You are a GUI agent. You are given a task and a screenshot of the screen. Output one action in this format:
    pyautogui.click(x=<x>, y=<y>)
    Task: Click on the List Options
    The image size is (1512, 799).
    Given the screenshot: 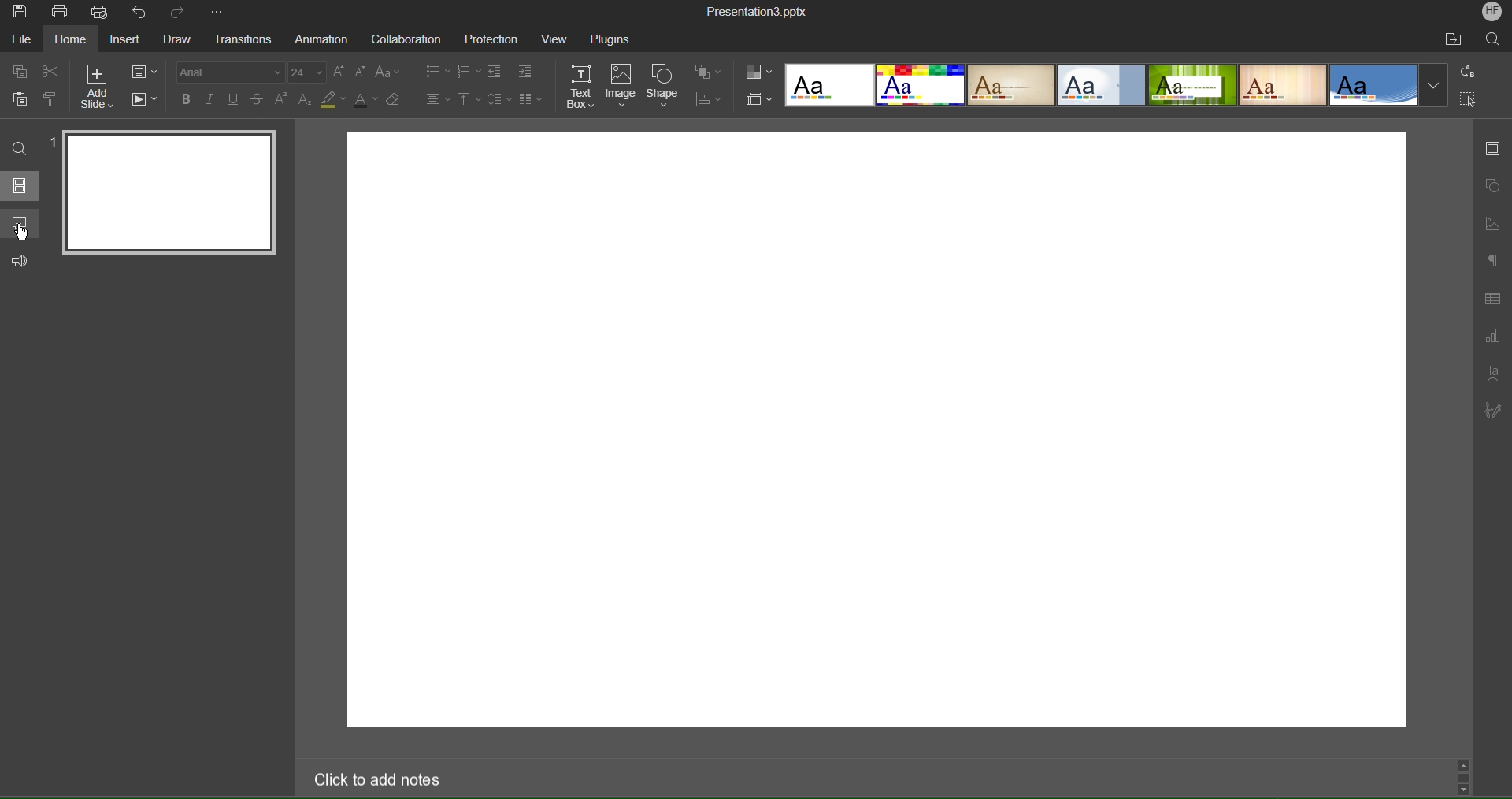 What is the action you would take?
    pyautogui.click(x=435, y=72)
    